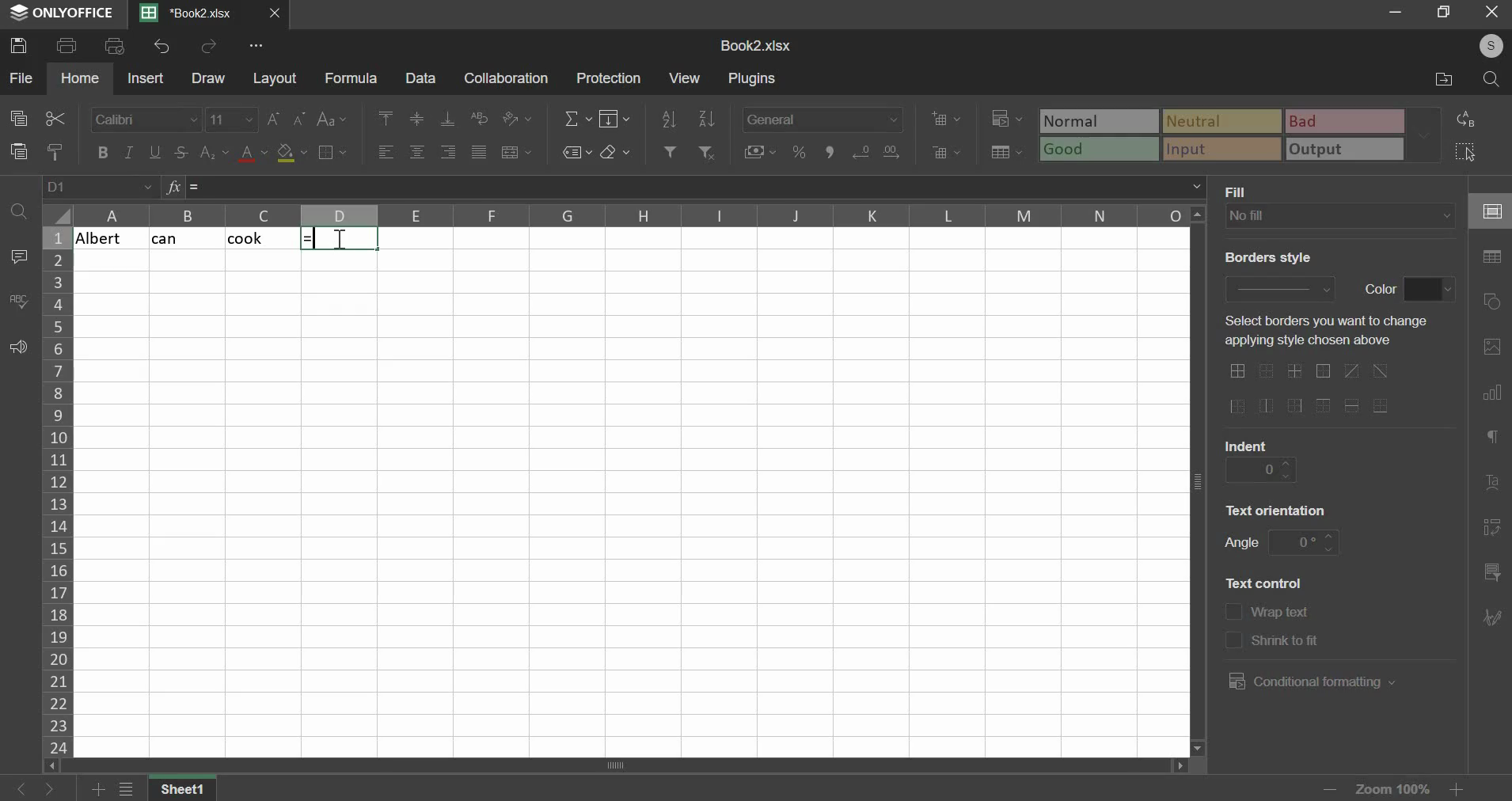  I want to click on text art, so click(1492, 487).